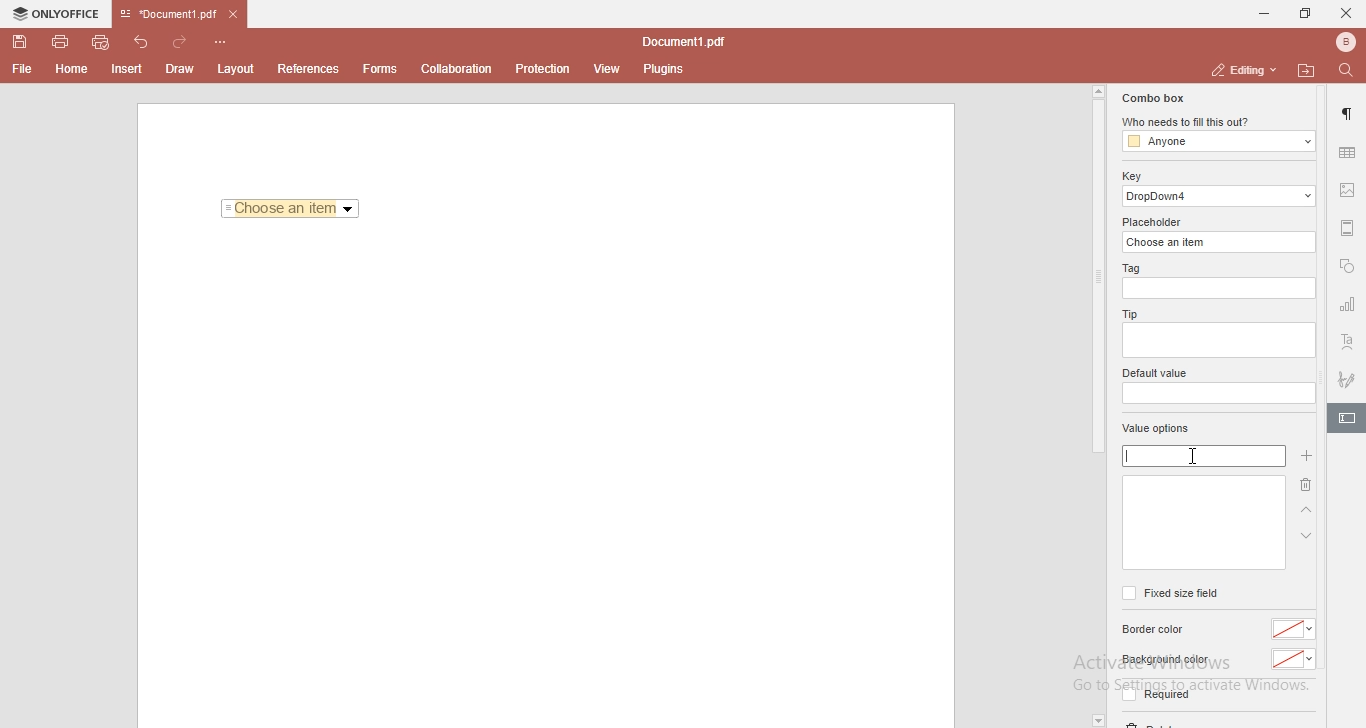 This screenshot has height=728, width=1366. Describe the element at coordinates (1304, 14) in the screenshot. I see `restore` at that location.